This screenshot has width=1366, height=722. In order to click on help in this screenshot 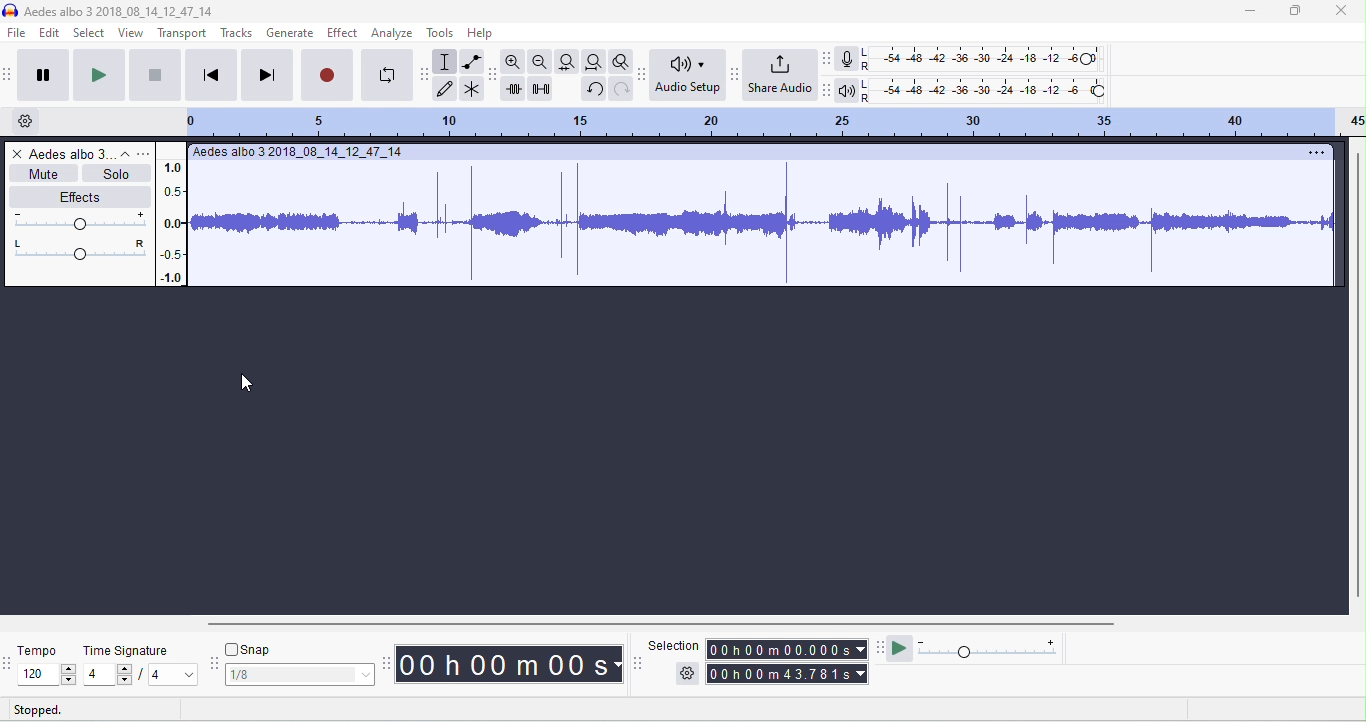, I will do `click(482, 34)`.